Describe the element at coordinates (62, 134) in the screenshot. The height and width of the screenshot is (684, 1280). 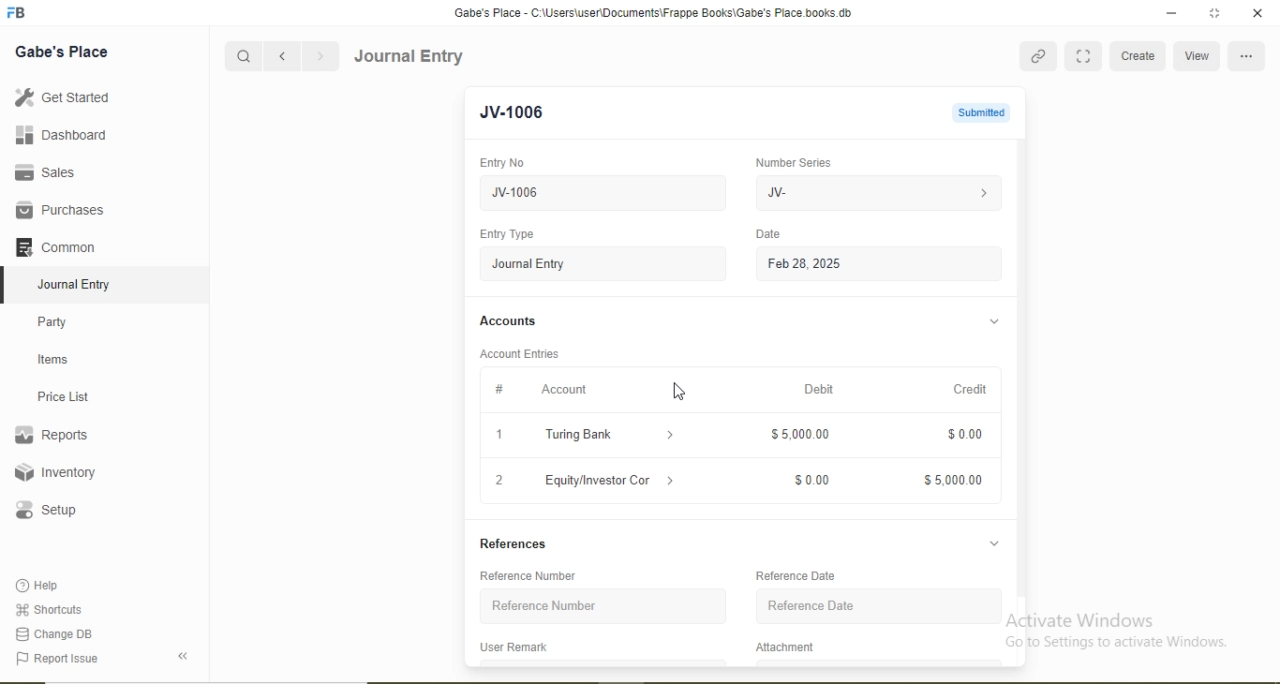
I see `Dashboard` at that location.